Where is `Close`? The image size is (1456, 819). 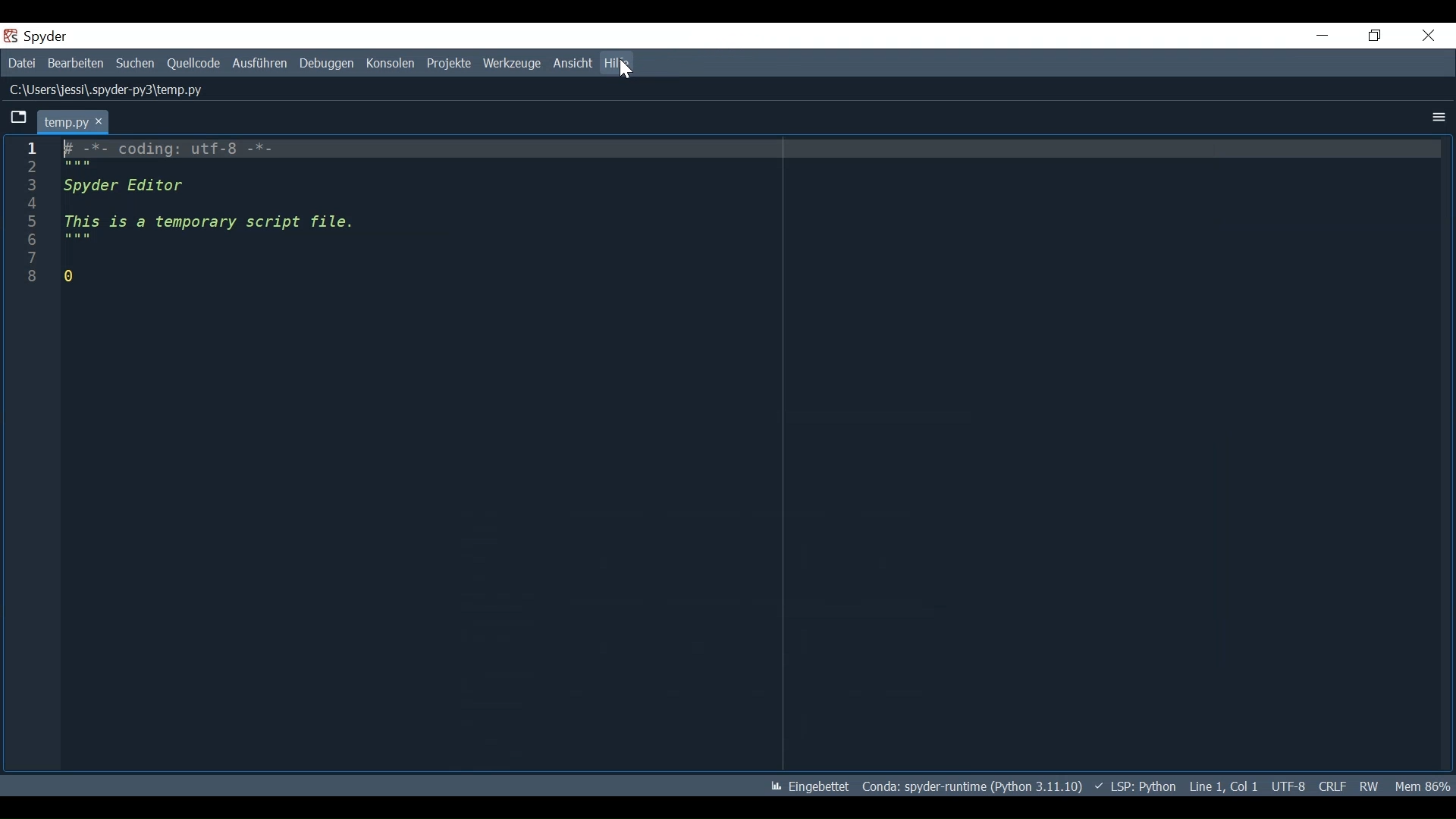 Close is located at coordinates (1427, 37).